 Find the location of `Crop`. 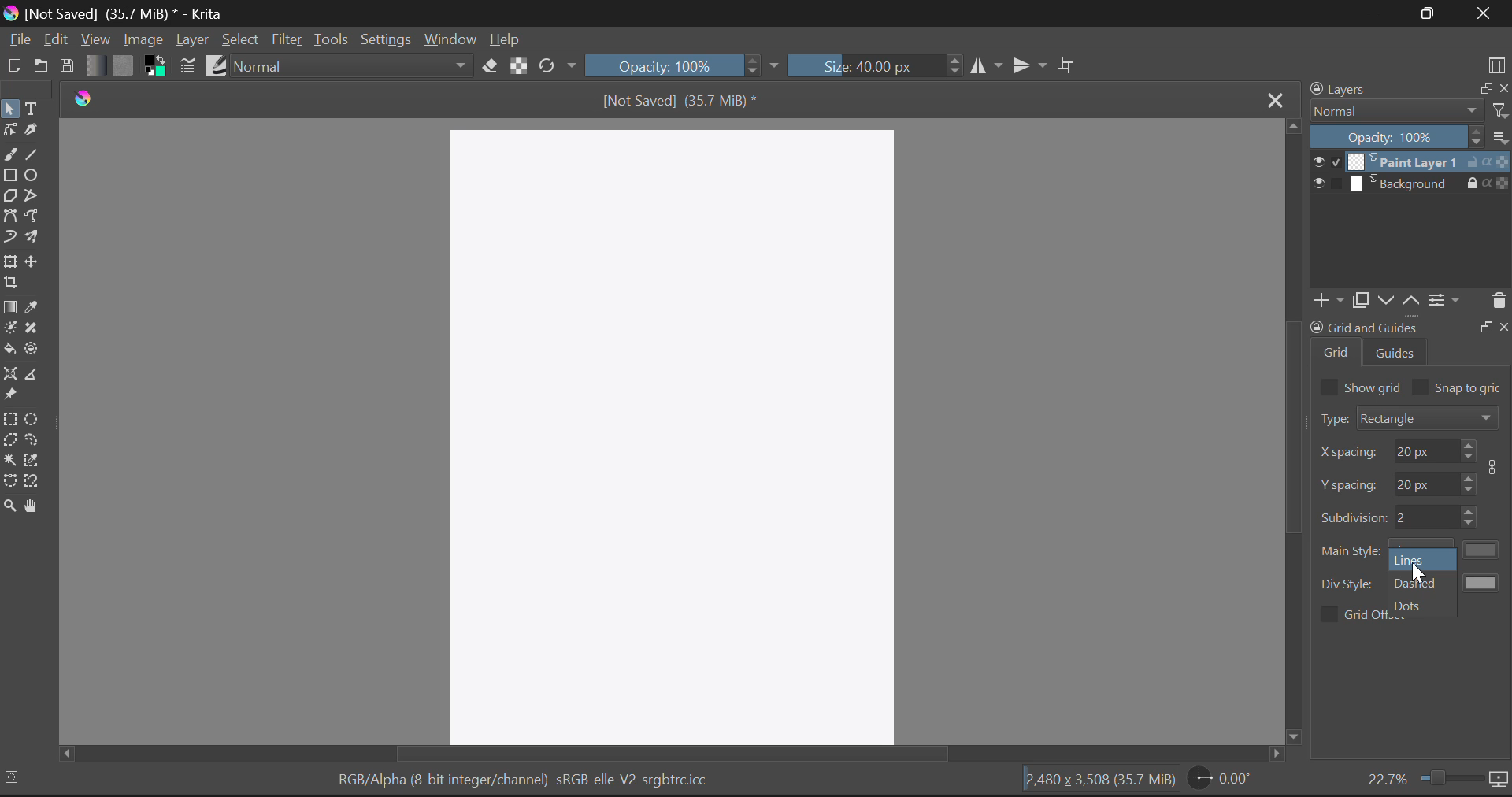

Crop is located at coordinates (10, 283).